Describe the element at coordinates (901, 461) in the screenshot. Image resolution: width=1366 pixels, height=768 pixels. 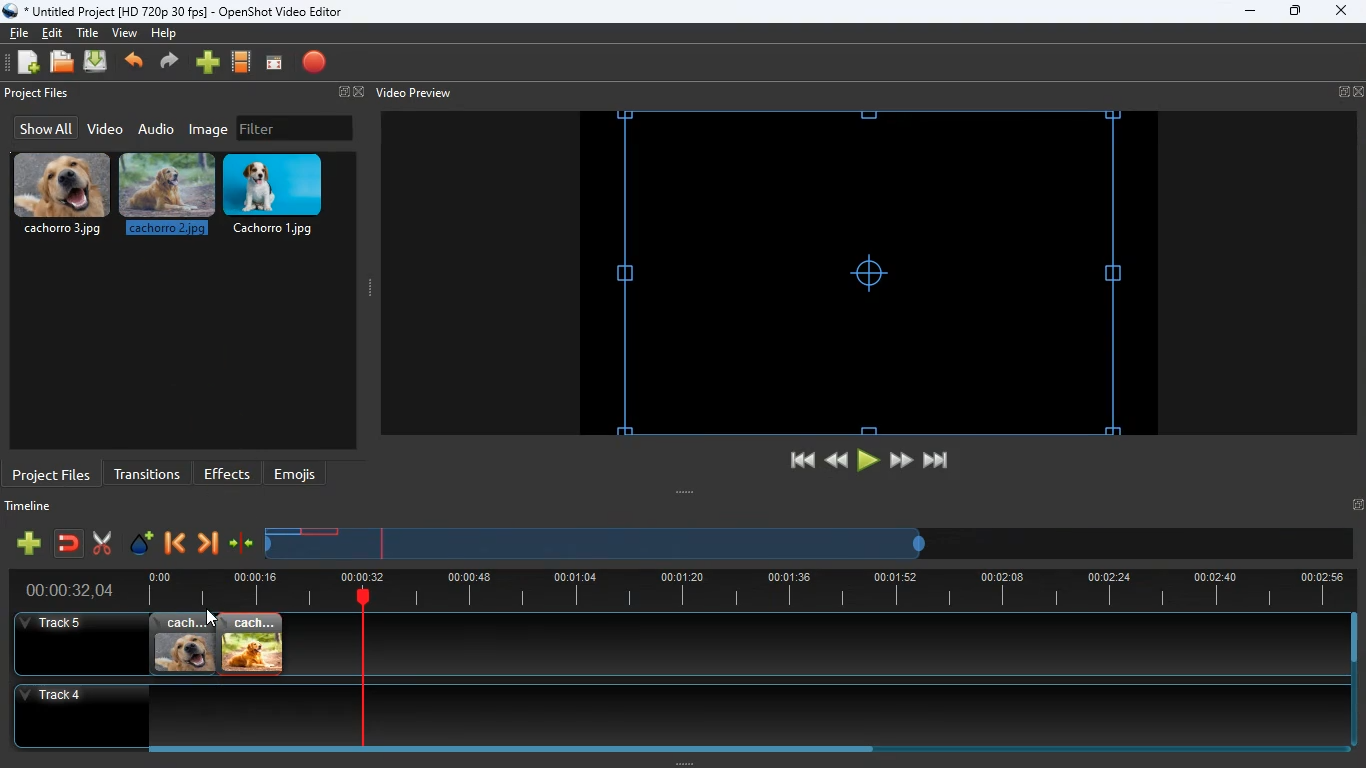
I see `forward` at that location.